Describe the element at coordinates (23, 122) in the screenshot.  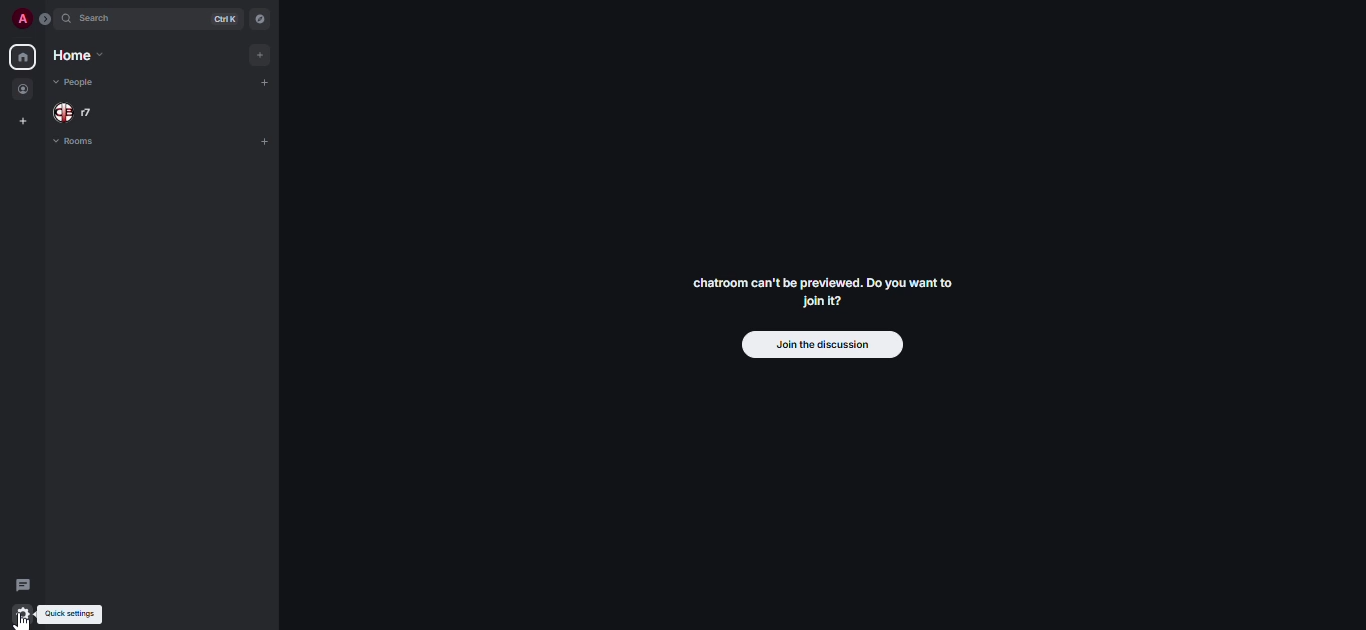
I see `create space` at that location.